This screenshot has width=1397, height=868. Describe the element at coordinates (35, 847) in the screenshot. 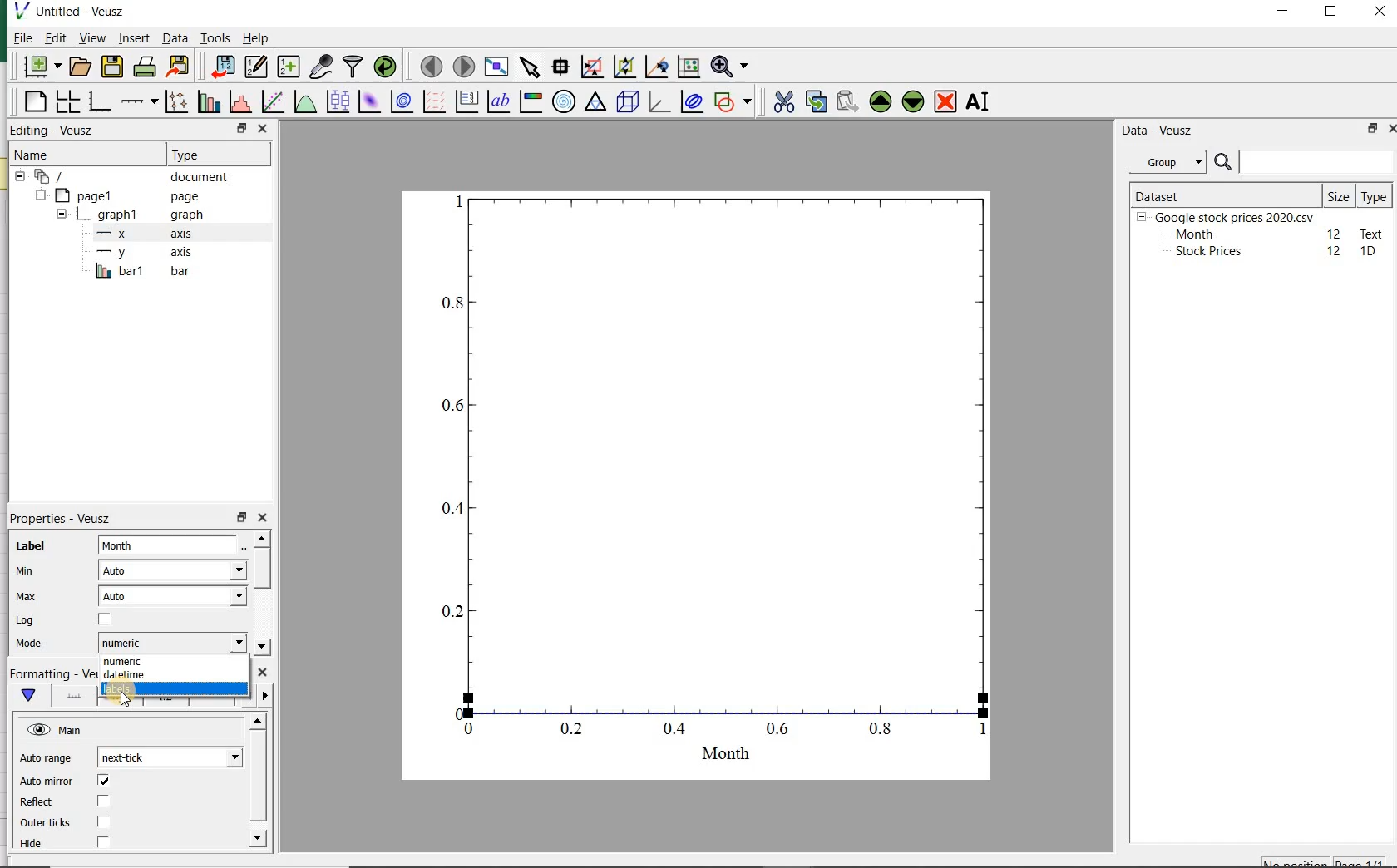

I see `Hide` at that location.